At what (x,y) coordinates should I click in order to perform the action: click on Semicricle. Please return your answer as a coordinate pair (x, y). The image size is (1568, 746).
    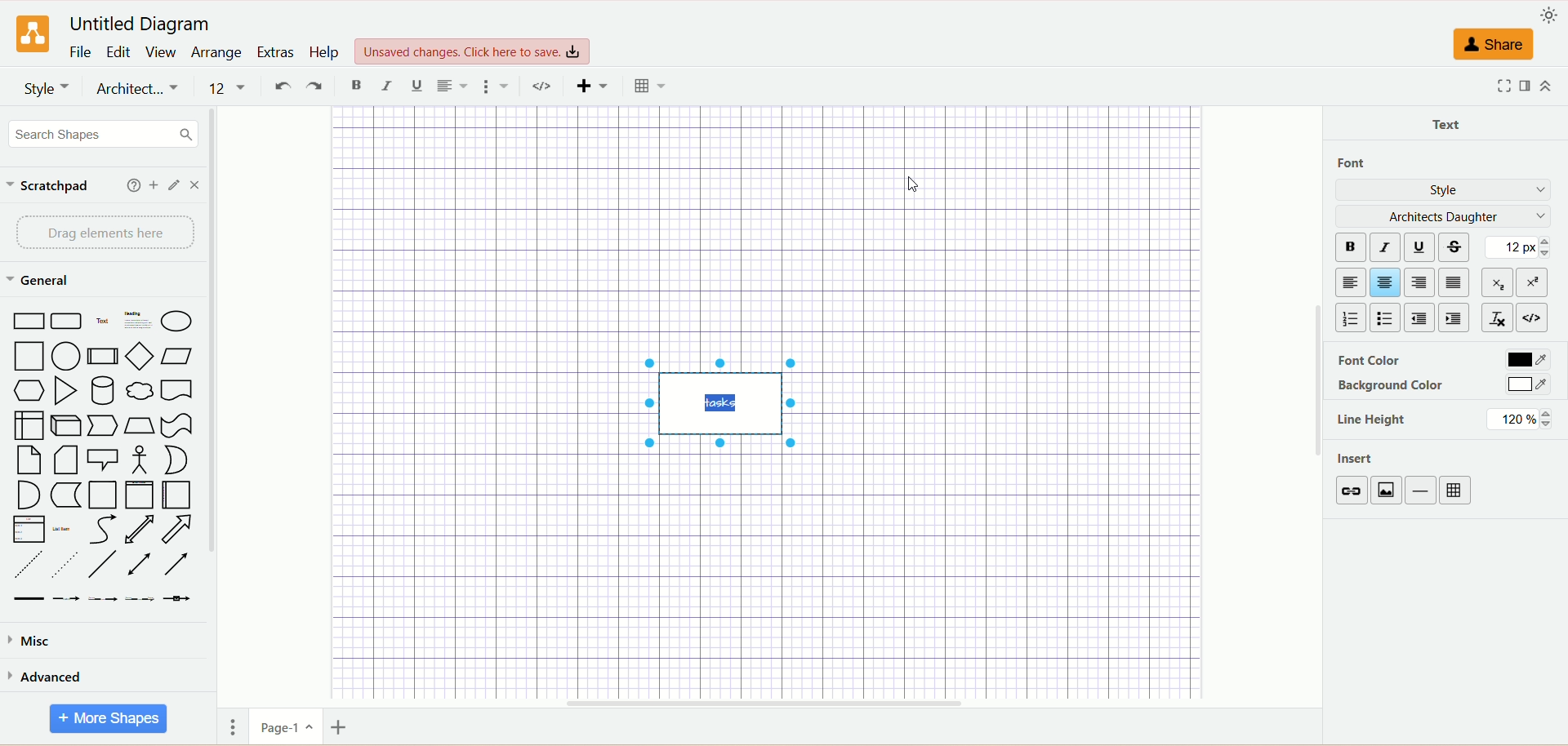
    Looking at the image, I should click on (29, 495).